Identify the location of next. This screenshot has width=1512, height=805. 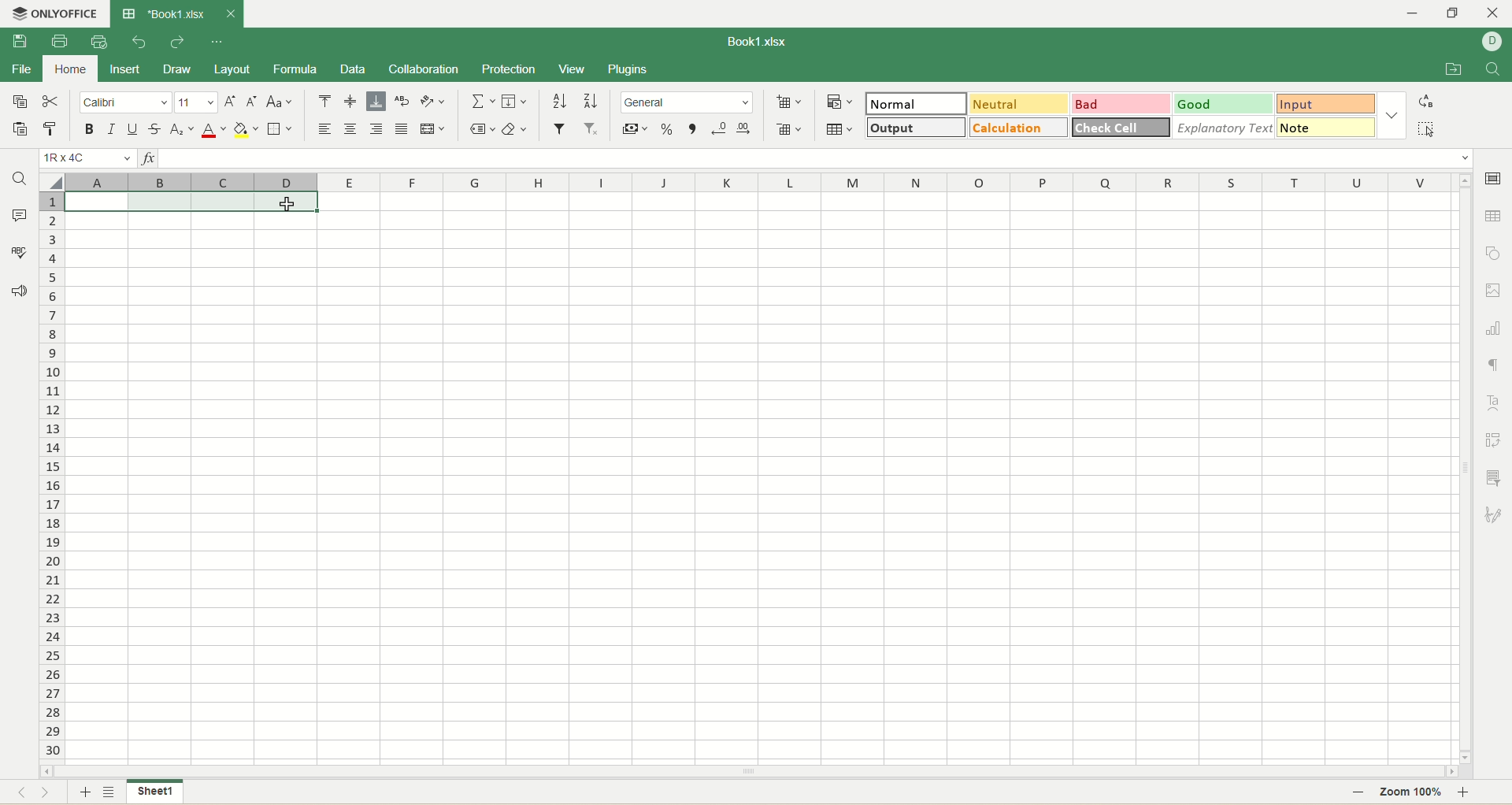
(53, 794).